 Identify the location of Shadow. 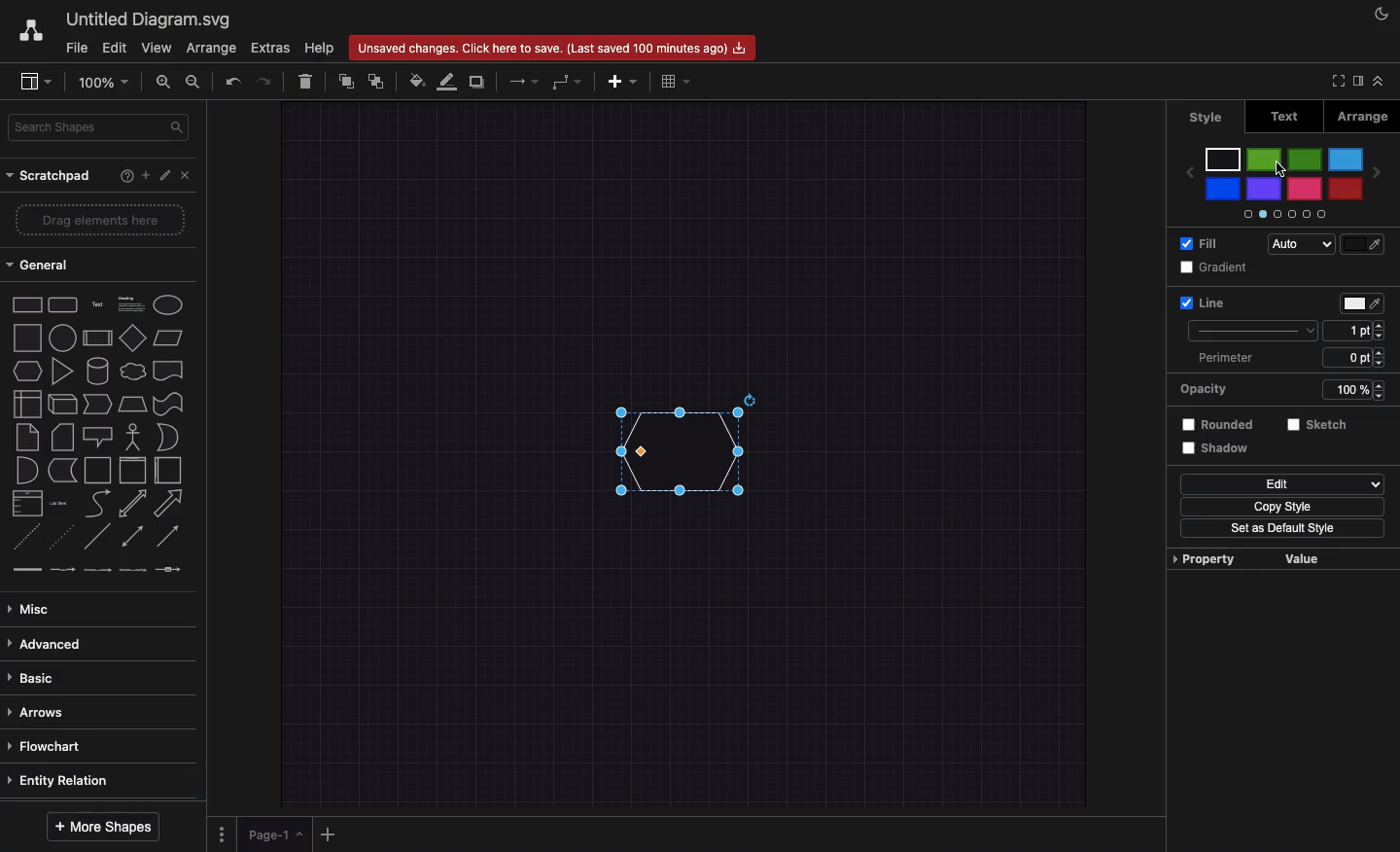
(1220, 448).